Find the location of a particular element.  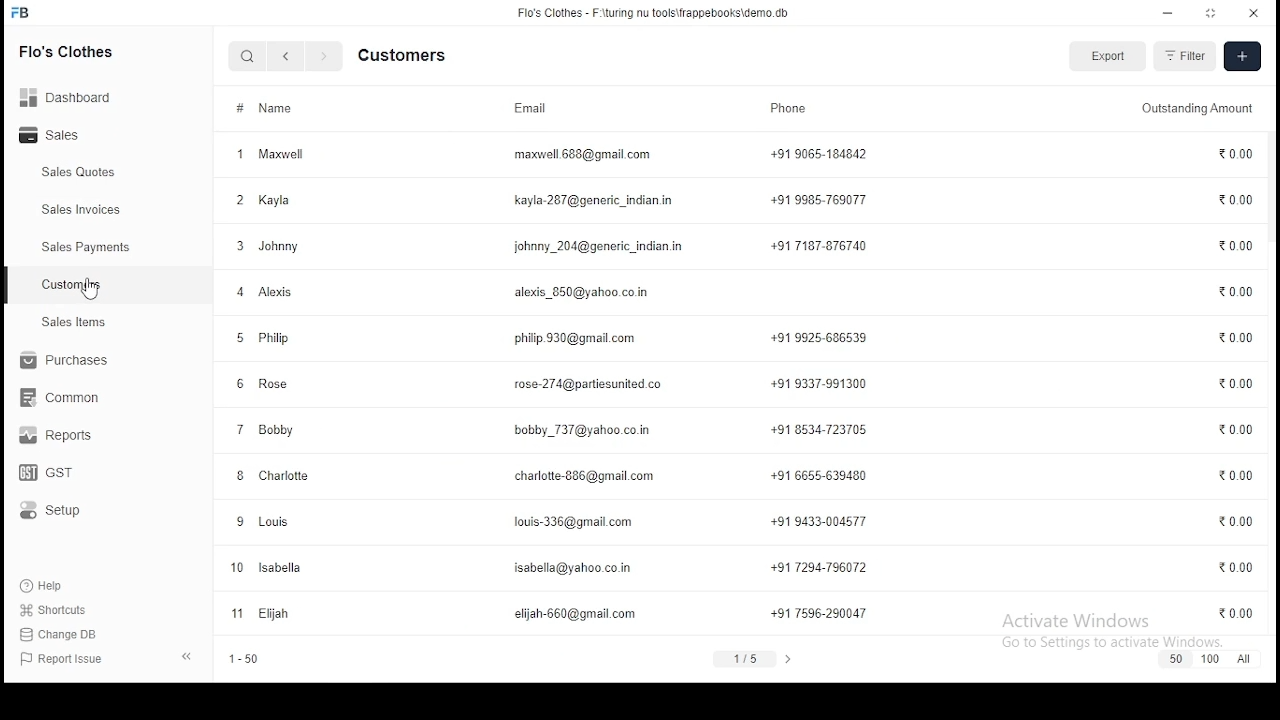

rose274@partiesunited.co is located at coordinates (595, 383).